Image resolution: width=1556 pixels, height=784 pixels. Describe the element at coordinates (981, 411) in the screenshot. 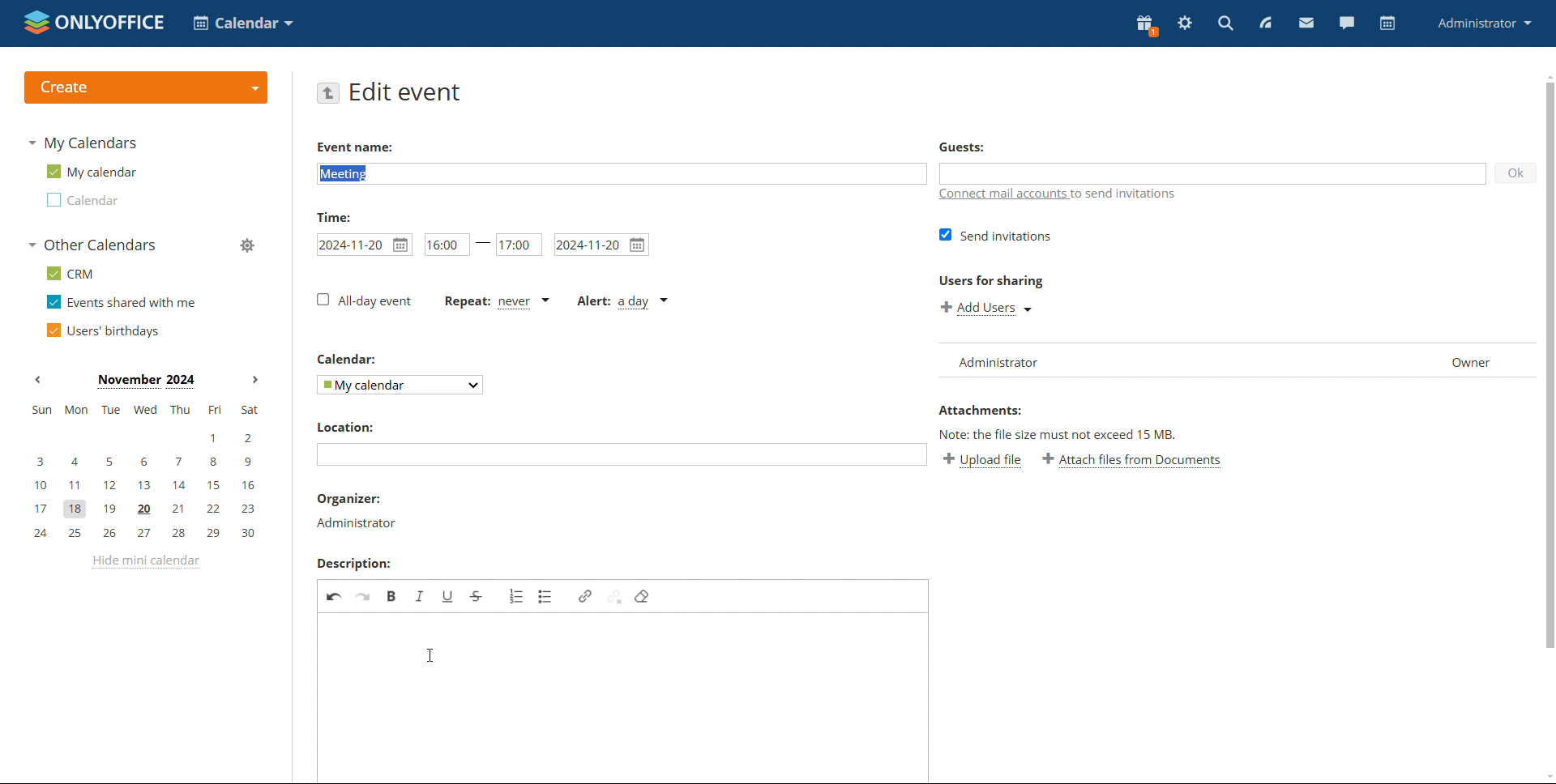

I see `attachments` at that location.